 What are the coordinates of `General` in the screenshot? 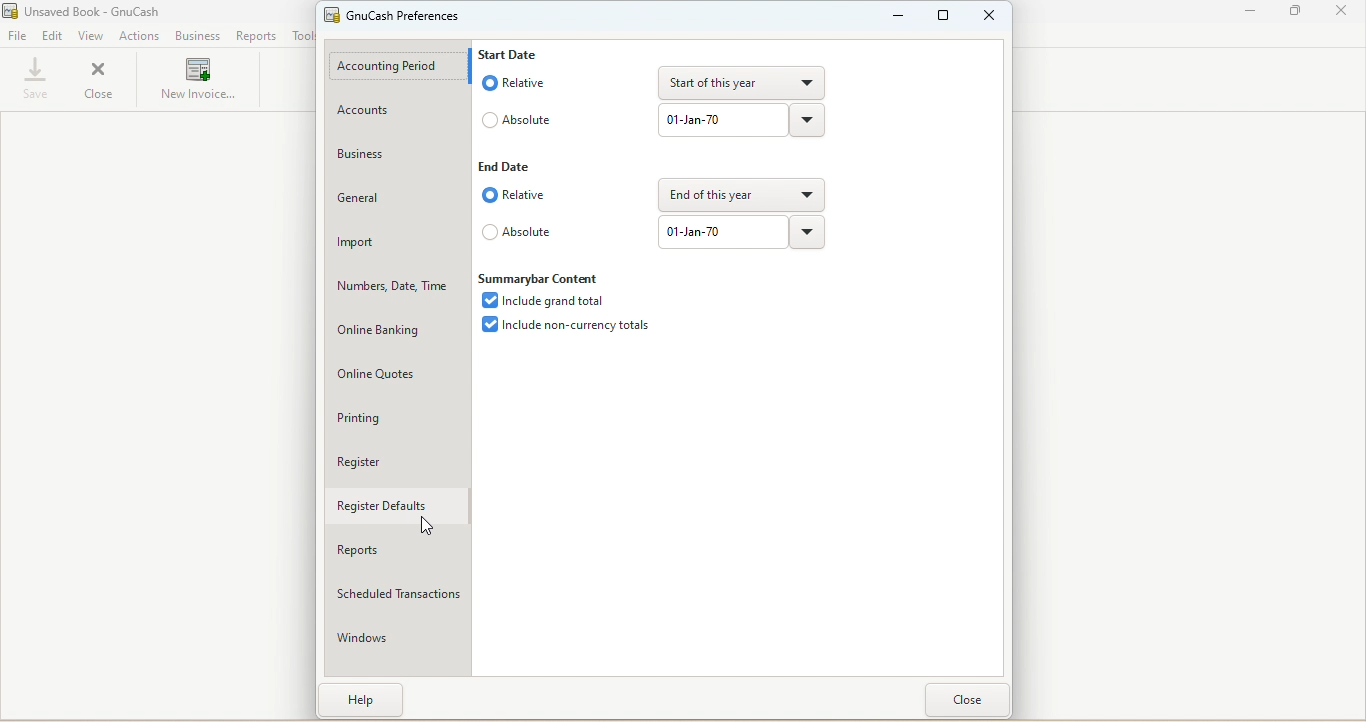 It's located at (398, 199).